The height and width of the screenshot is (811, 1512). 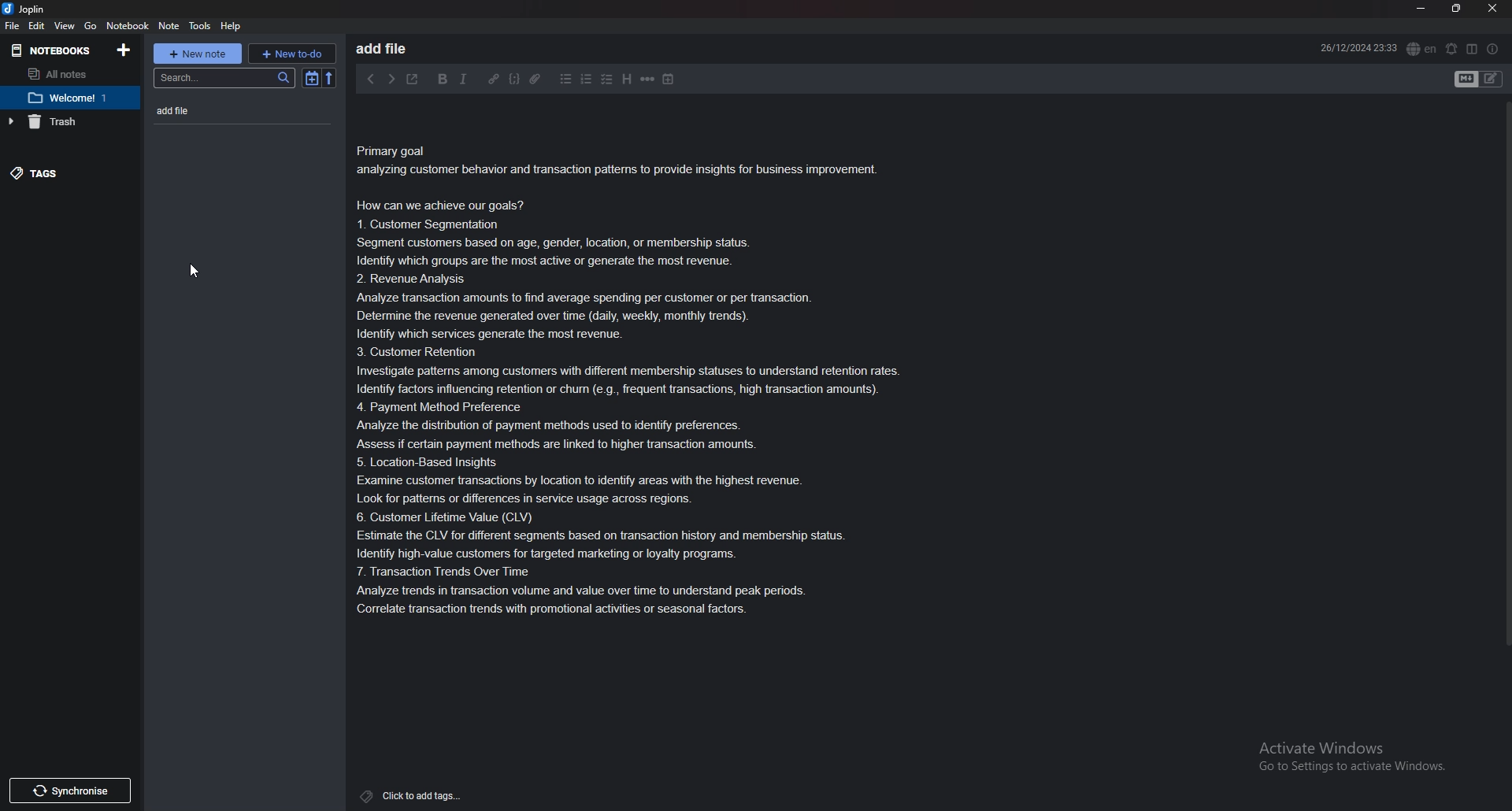 What do you see at coordinates (669, 80) in the screenshot?
I see `Add time` at bounding box center [669, 80].